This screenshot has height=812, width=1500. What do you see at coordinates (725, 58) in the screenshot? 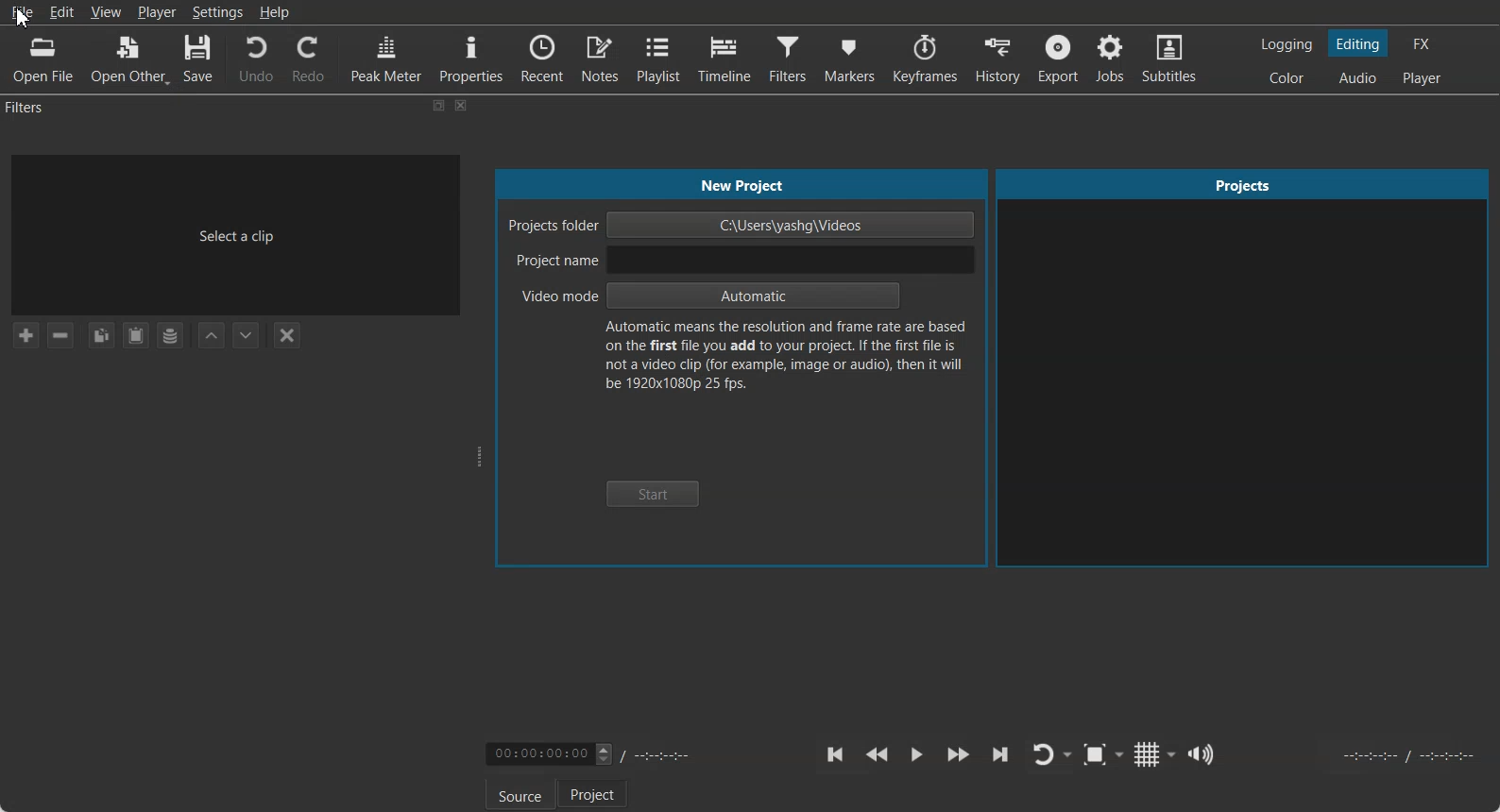
I see `Timeline` at bounding box center [725, 58].